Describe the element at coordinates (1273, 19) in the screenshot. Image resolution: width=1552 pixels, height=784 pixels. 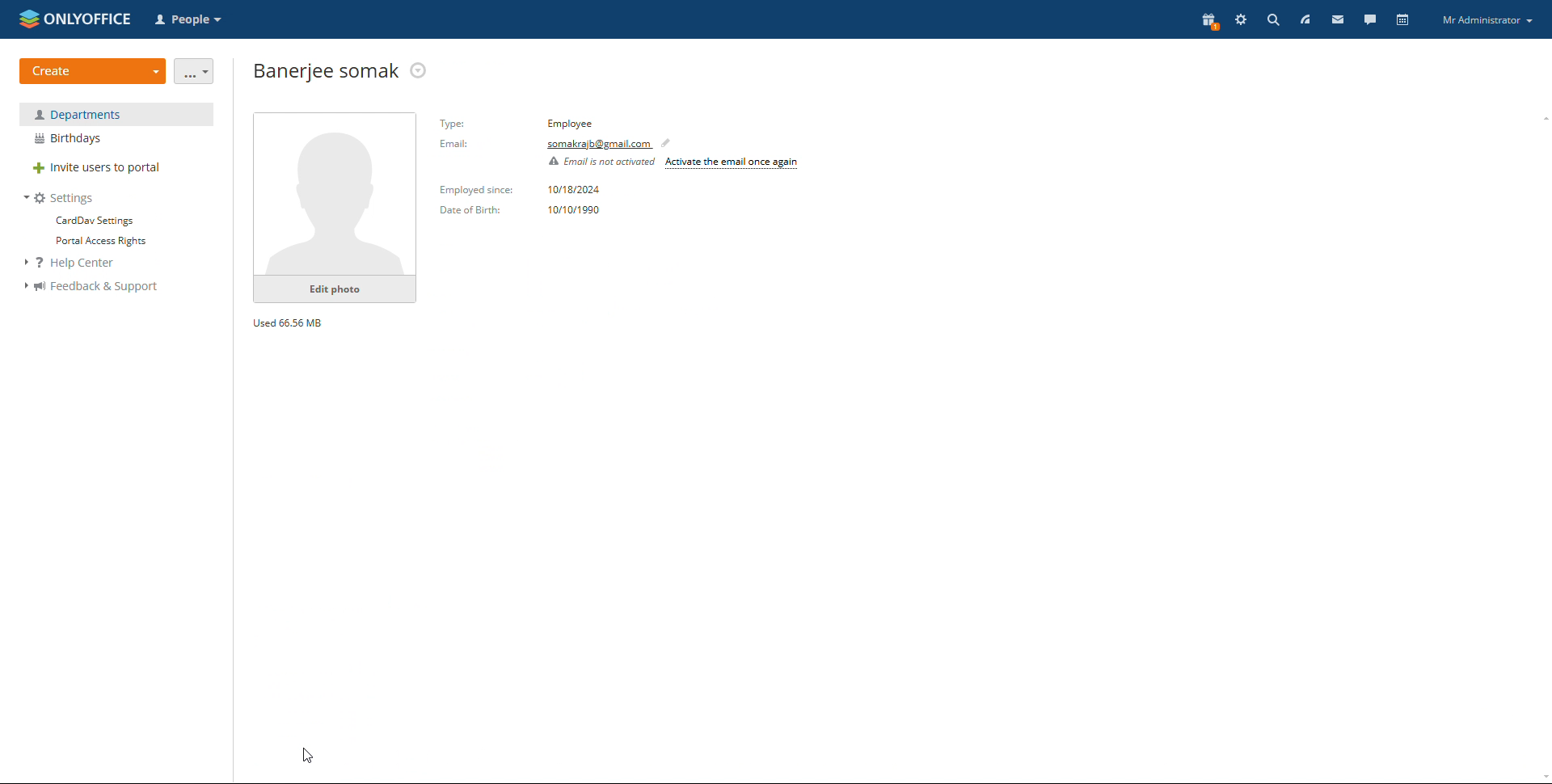
I see `search` at that location.